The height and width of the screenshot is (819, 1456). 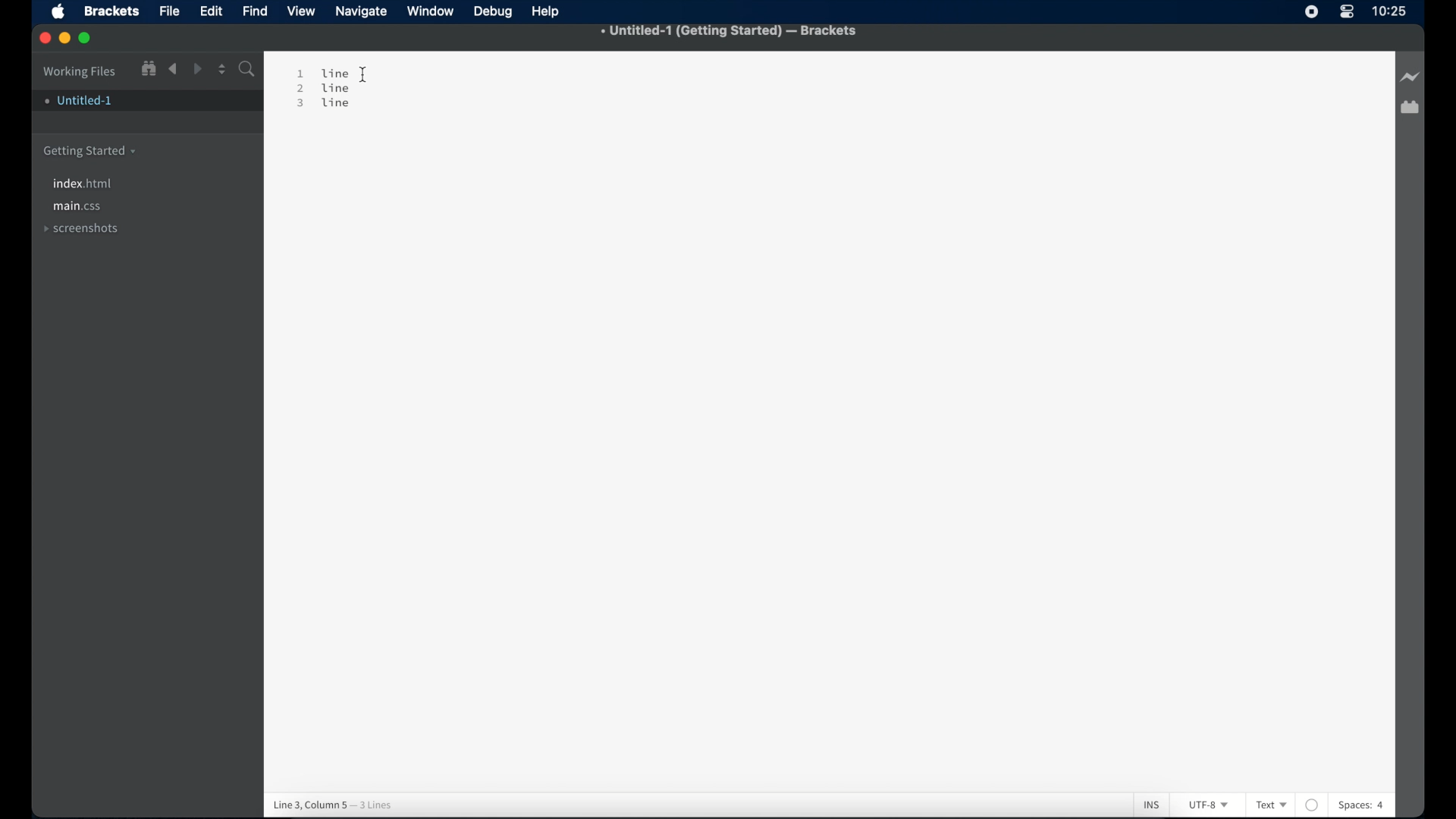 What do you see at coordinates (1348, 12) in the screenshot?
I see `control center` at bounding box center [1348, 12].